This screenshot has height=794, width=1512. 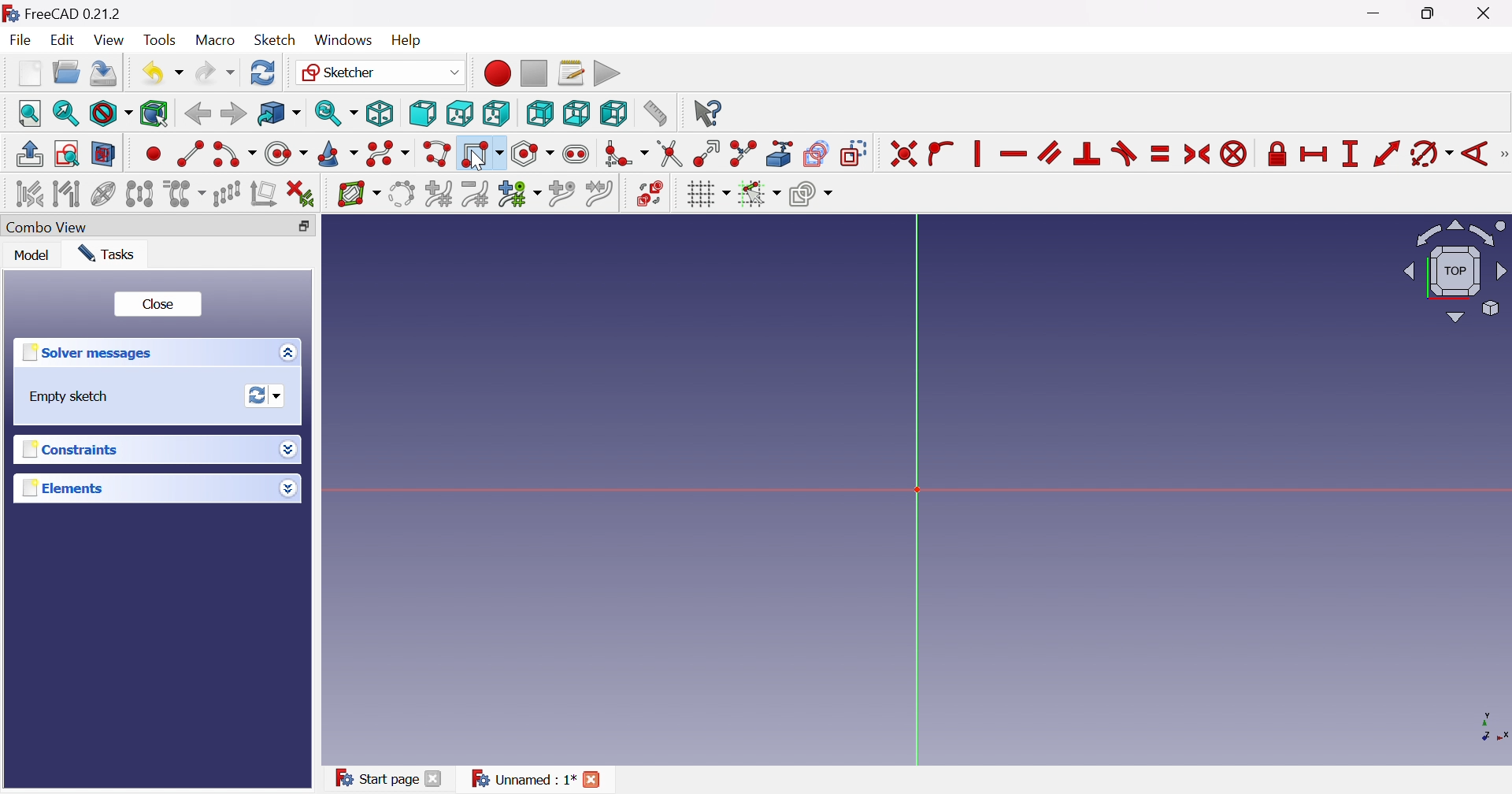 I want to click on Fit selection..., so click(x=66, y=113).